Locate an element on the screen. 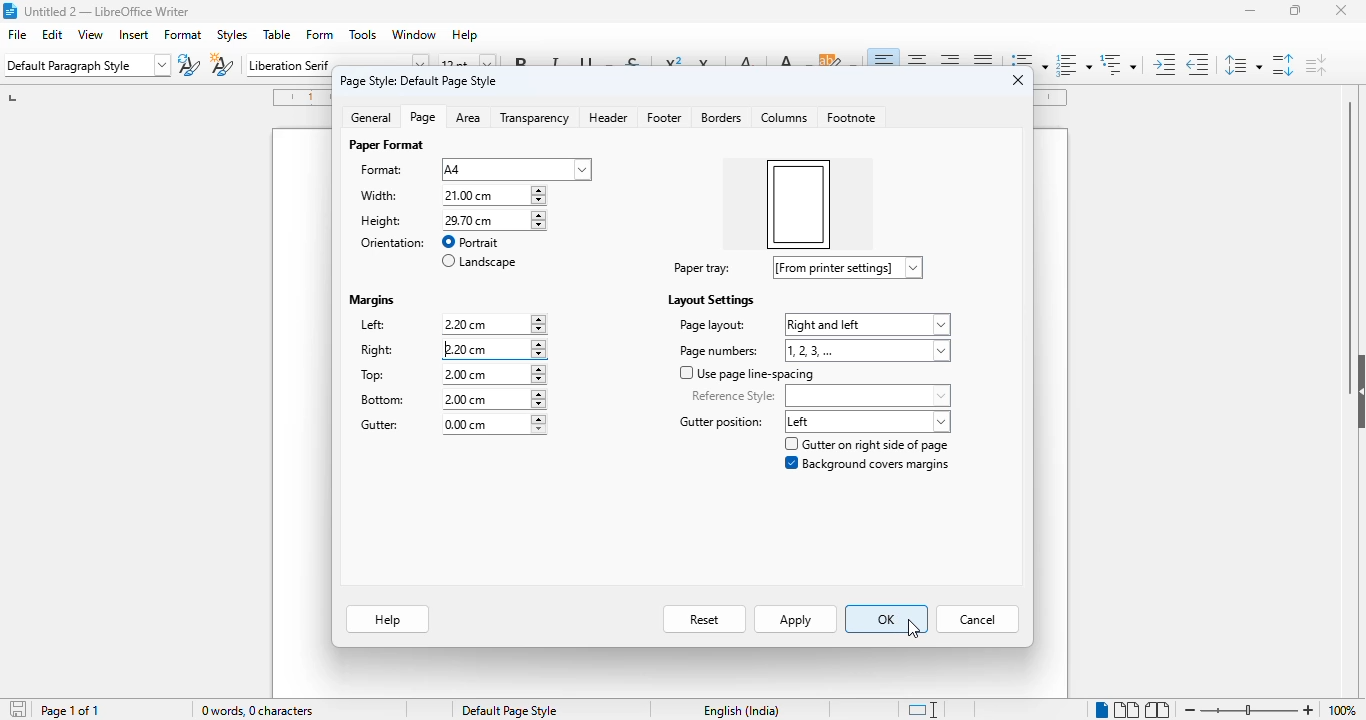  view is located at coordinates (90, 34).